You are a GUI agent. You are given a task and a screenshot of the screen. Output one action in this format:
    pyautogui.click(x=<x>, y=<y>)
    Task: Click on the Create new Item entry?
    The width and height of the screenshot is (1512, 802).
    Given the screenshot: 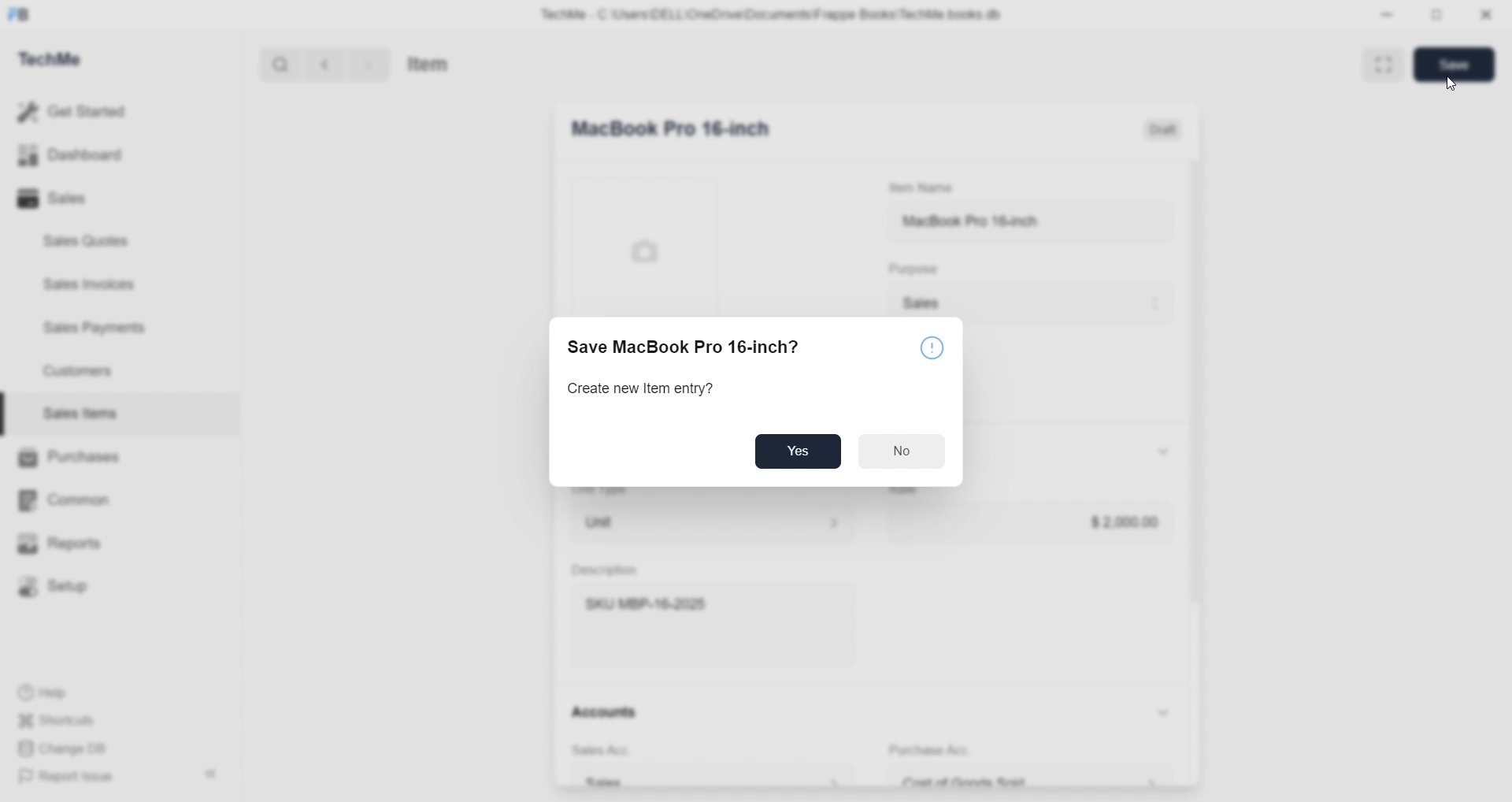 What is the action you would take?
    pyautogui.click(x=641, y=389)
    